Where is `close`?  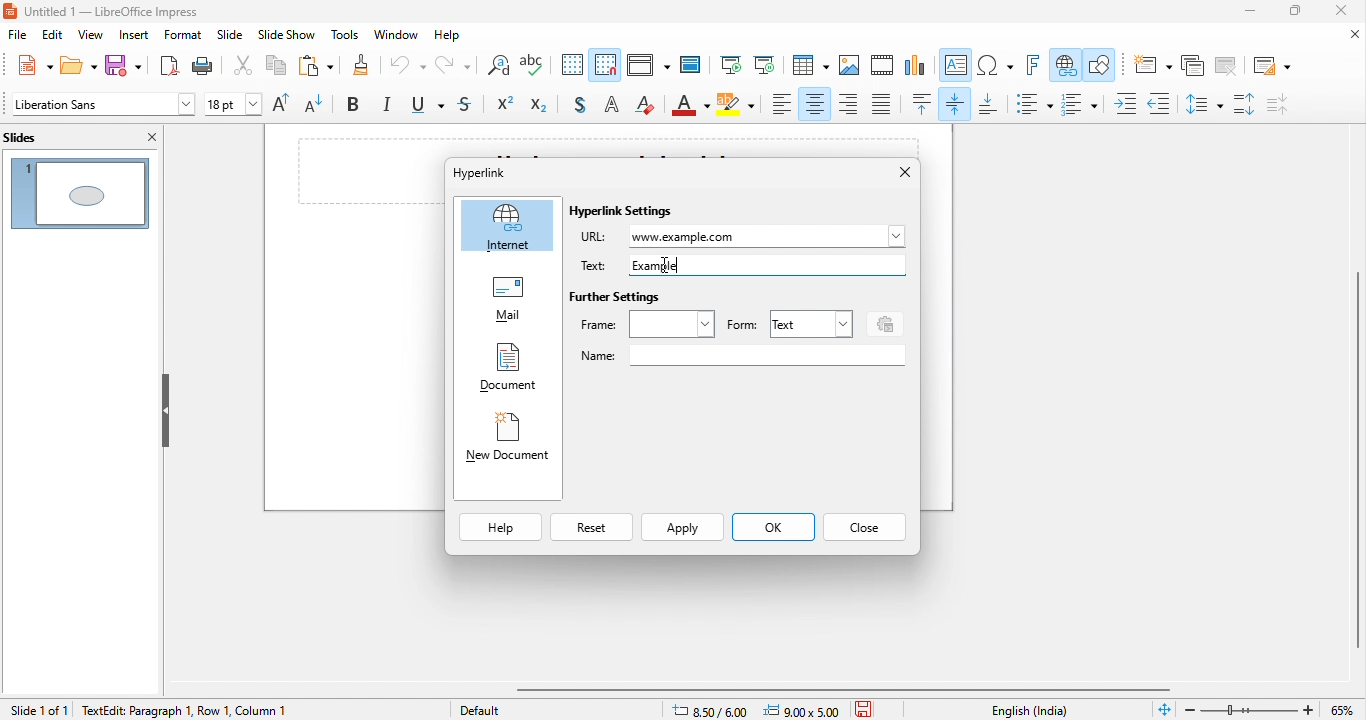
close is located at coordinates (1346, 12).